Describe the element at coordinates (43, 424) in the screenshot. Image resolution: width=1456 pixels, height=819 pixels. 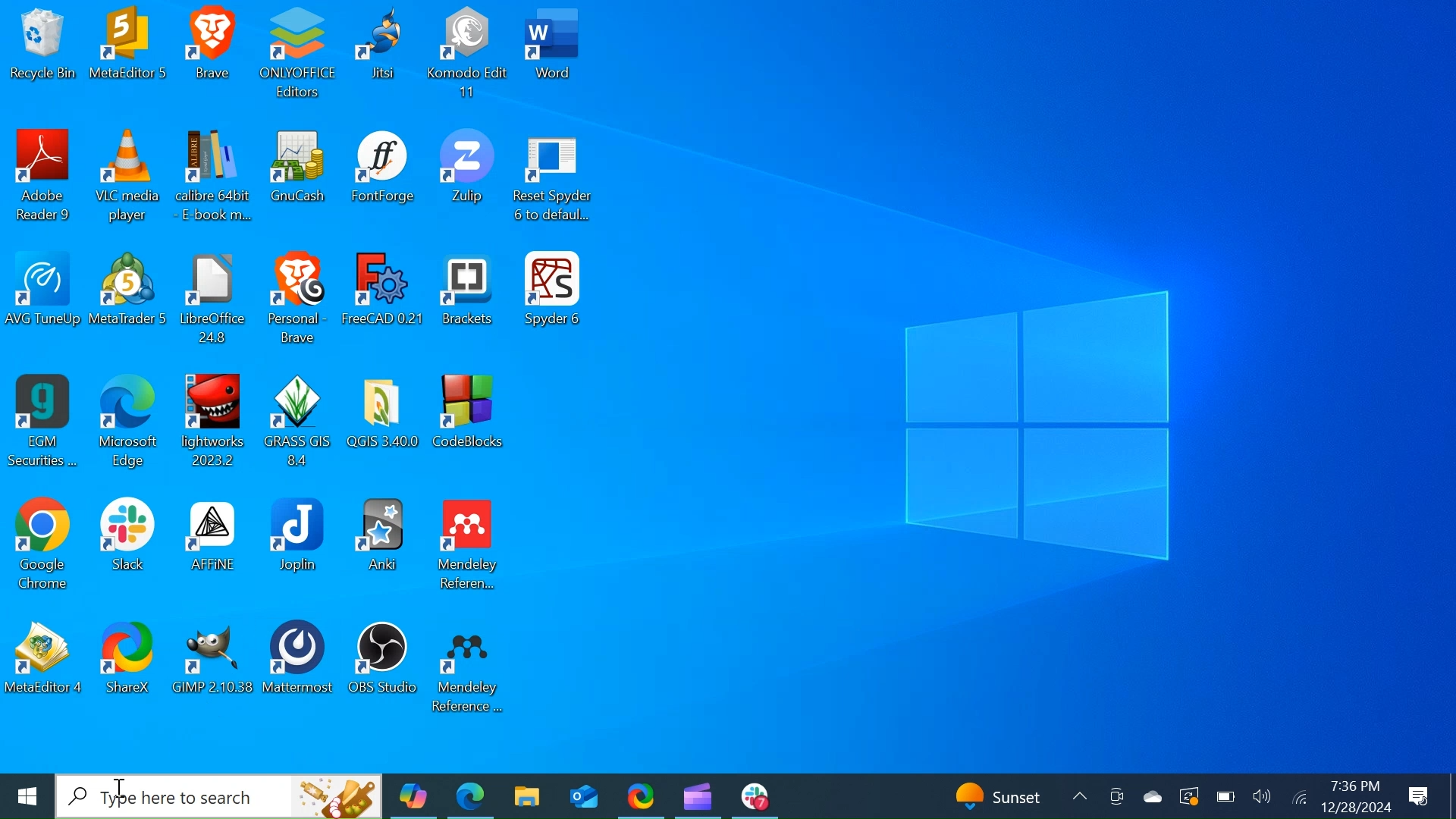
I see `EGM Securities Desktop Icon` at that location.